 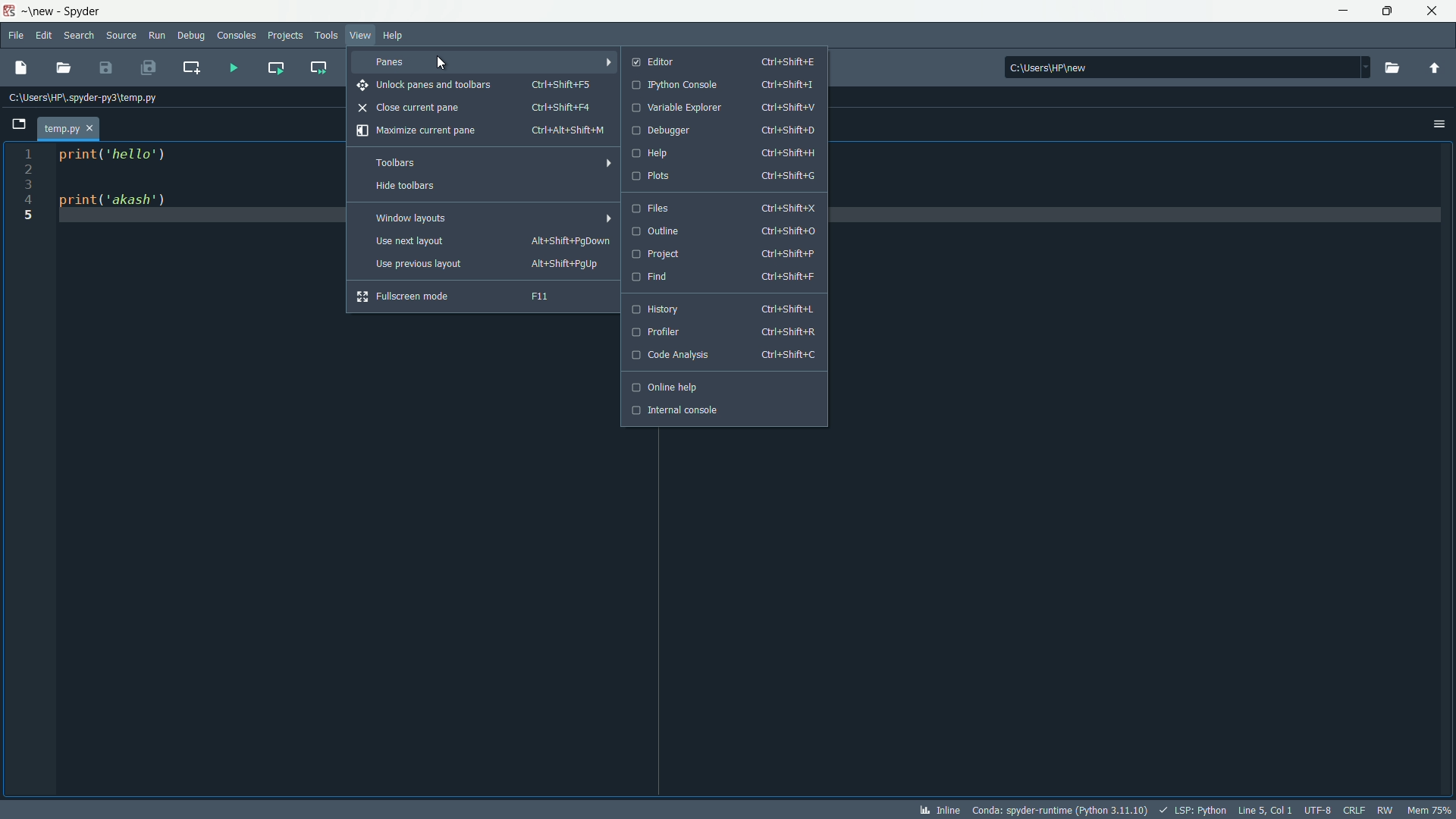 I want to click on help, so click(x=725, y=153).